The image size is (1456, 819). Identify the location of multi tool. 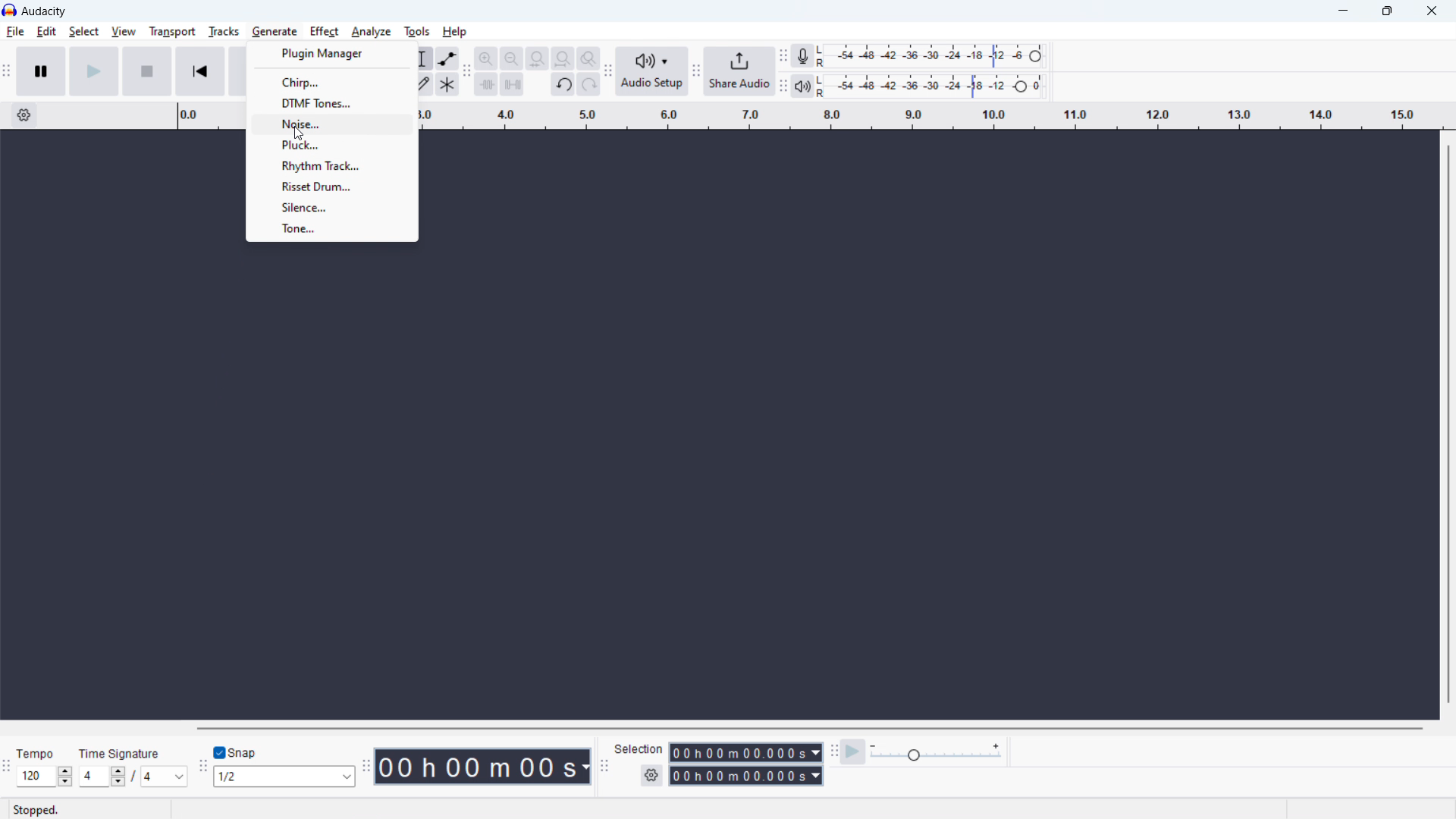
(447, 83).